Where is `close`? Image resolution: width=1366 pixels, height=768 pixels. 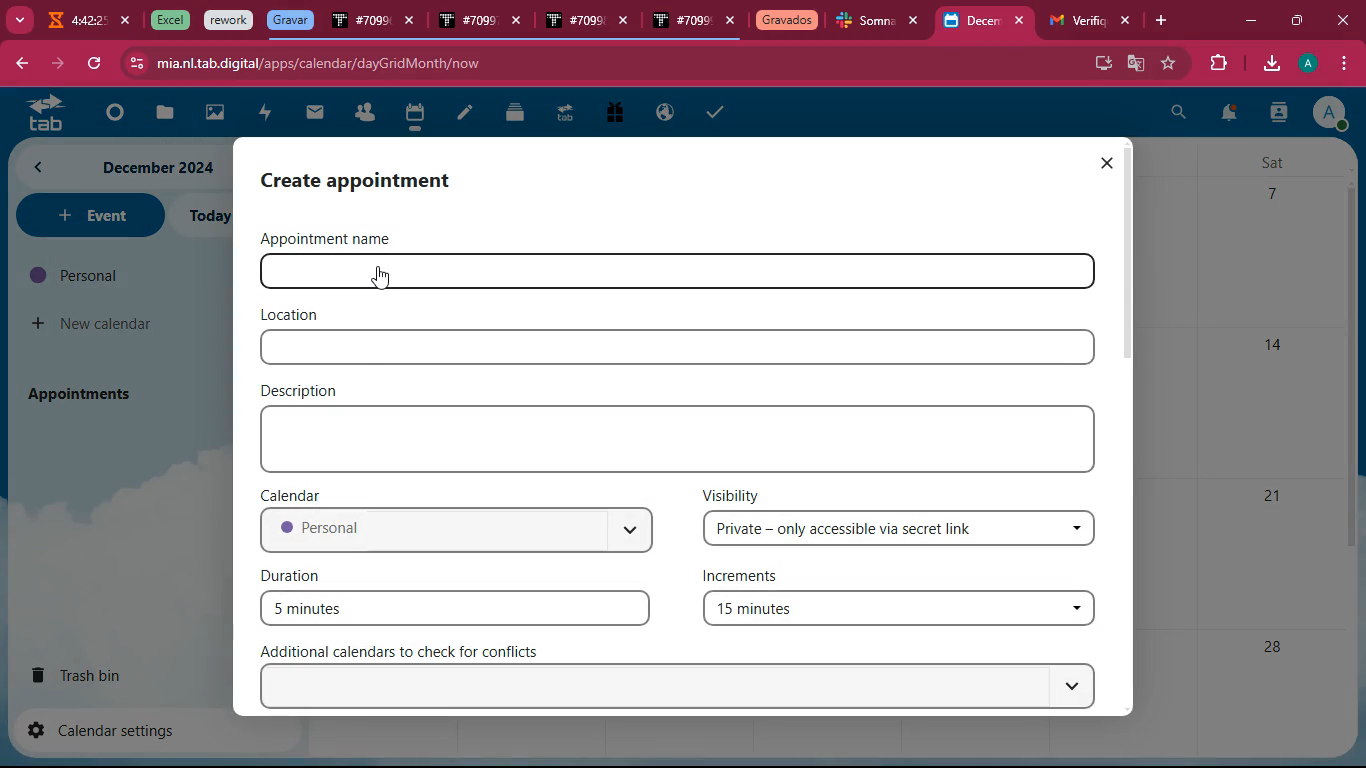 close is located at coordinates (628, 23).